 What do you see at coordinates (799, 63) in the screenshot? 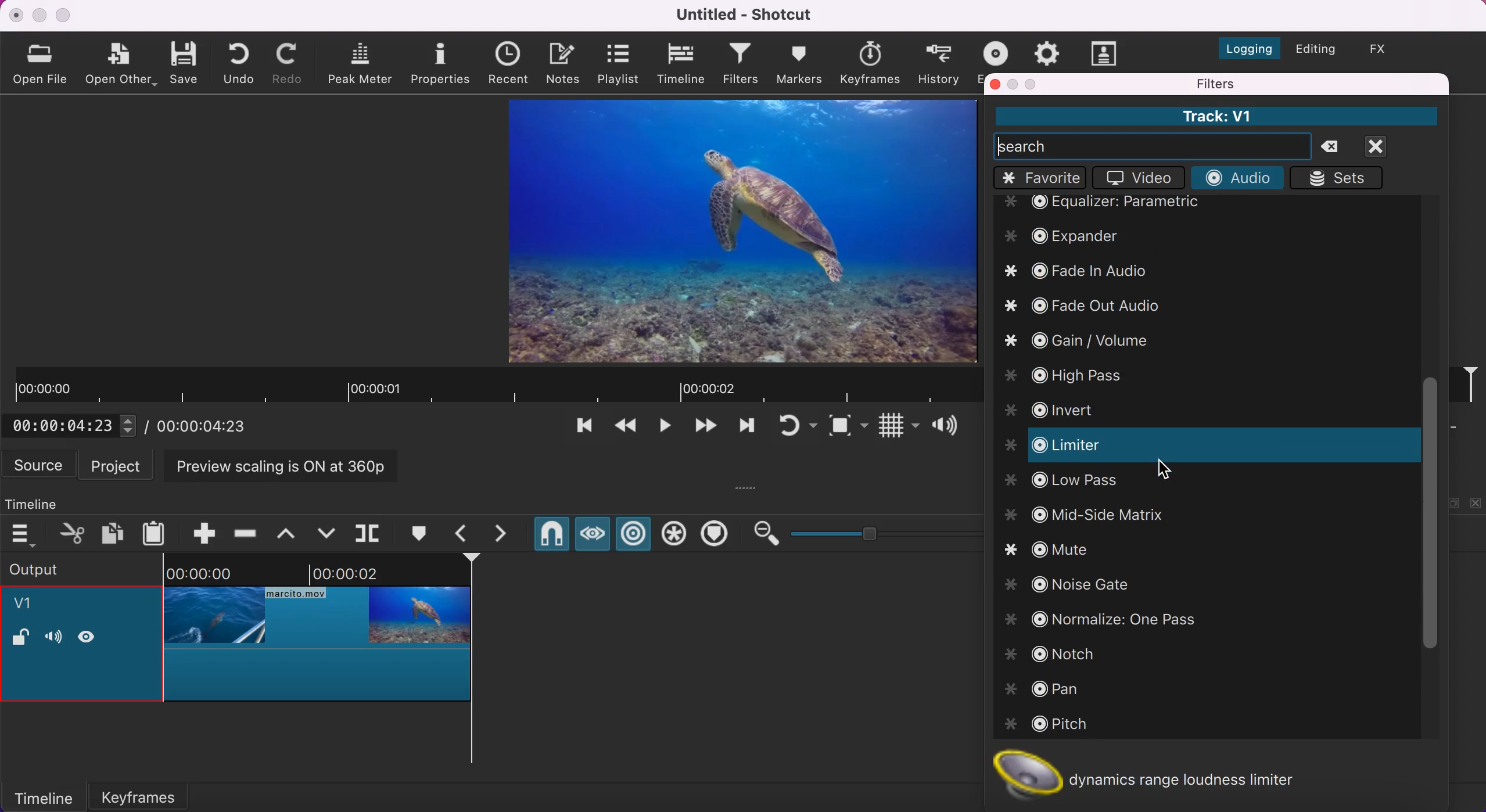
I see `markers` at bounding box center [799, 63].